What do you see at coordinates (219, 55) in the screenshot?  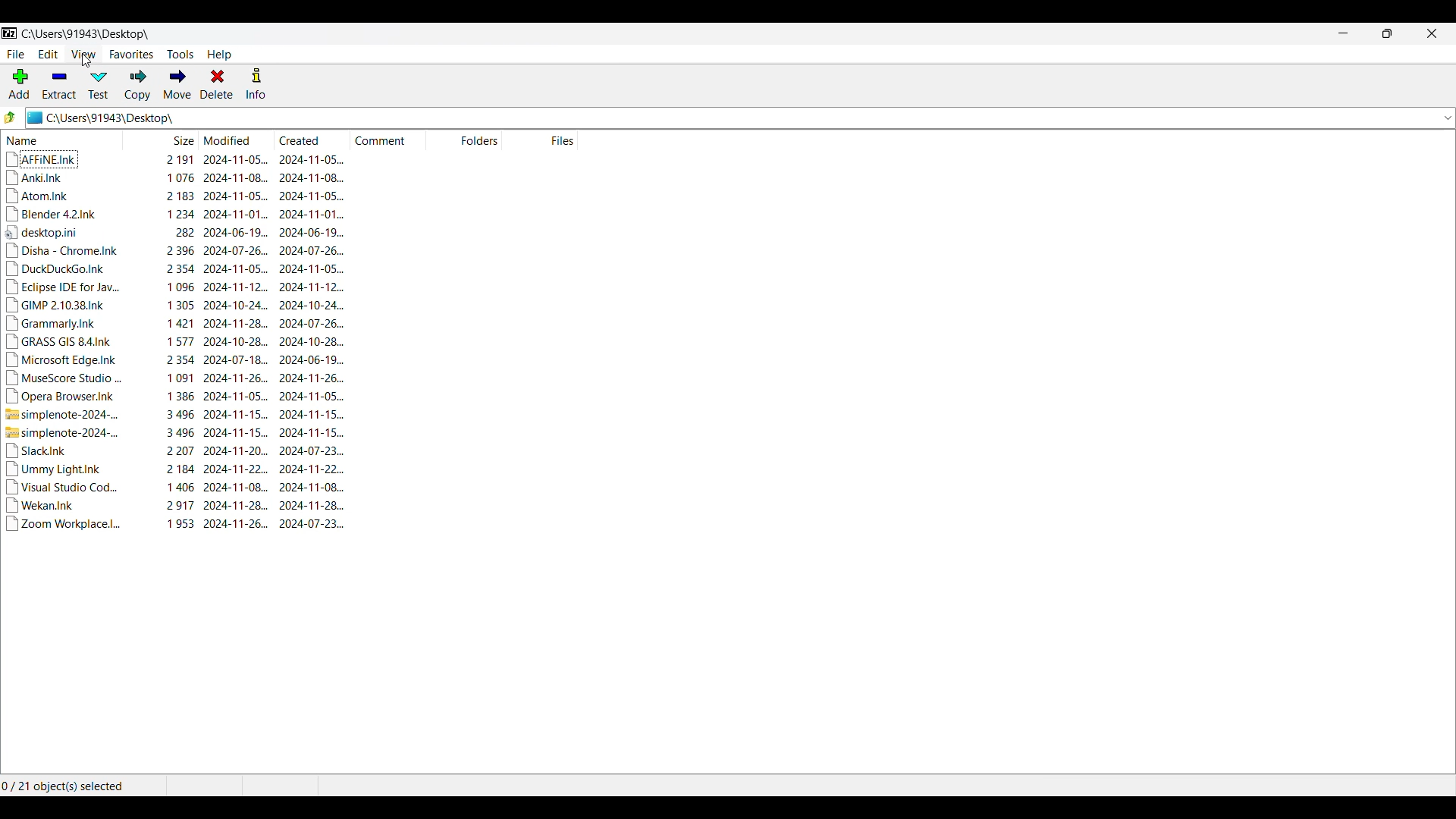 I see `Help` at bounding box center [219, 55].